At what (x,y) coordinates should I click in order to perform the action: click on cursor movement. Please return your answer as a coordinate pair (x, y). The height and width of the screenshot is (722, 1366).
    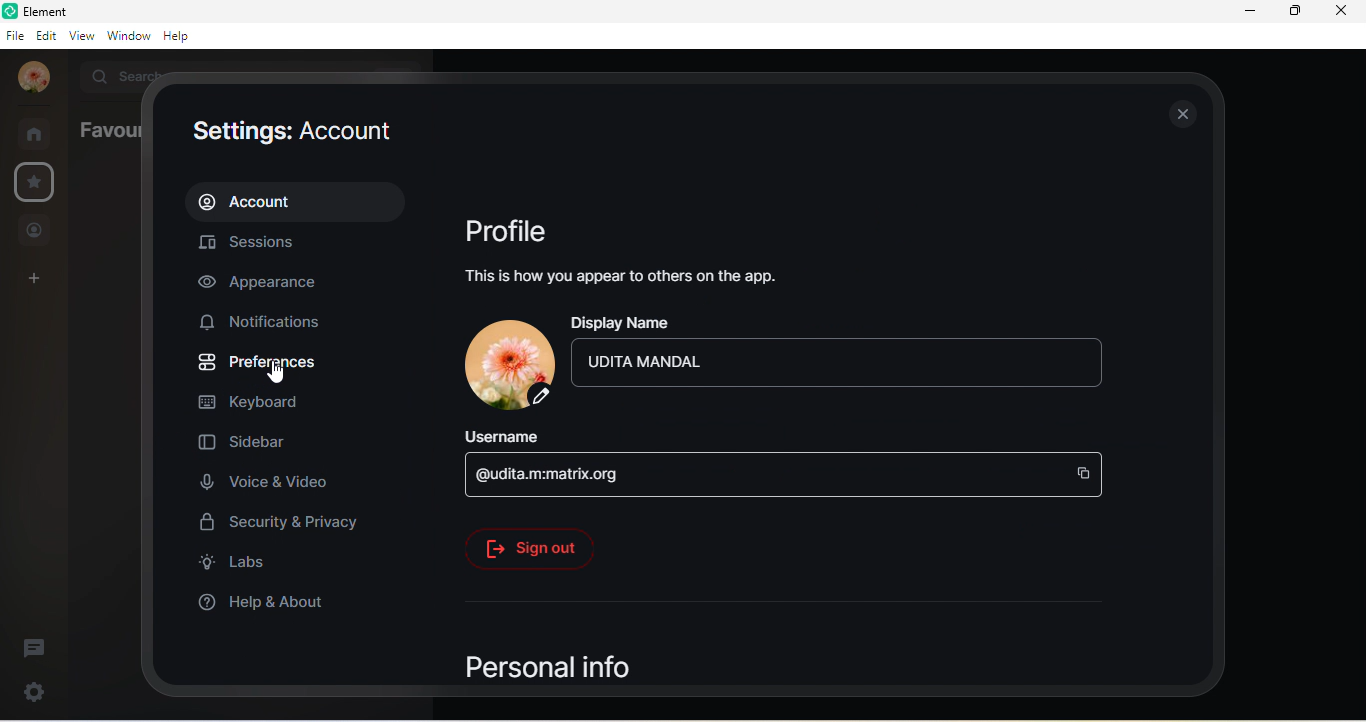
    Looking at the image, I should click on (282, 374).